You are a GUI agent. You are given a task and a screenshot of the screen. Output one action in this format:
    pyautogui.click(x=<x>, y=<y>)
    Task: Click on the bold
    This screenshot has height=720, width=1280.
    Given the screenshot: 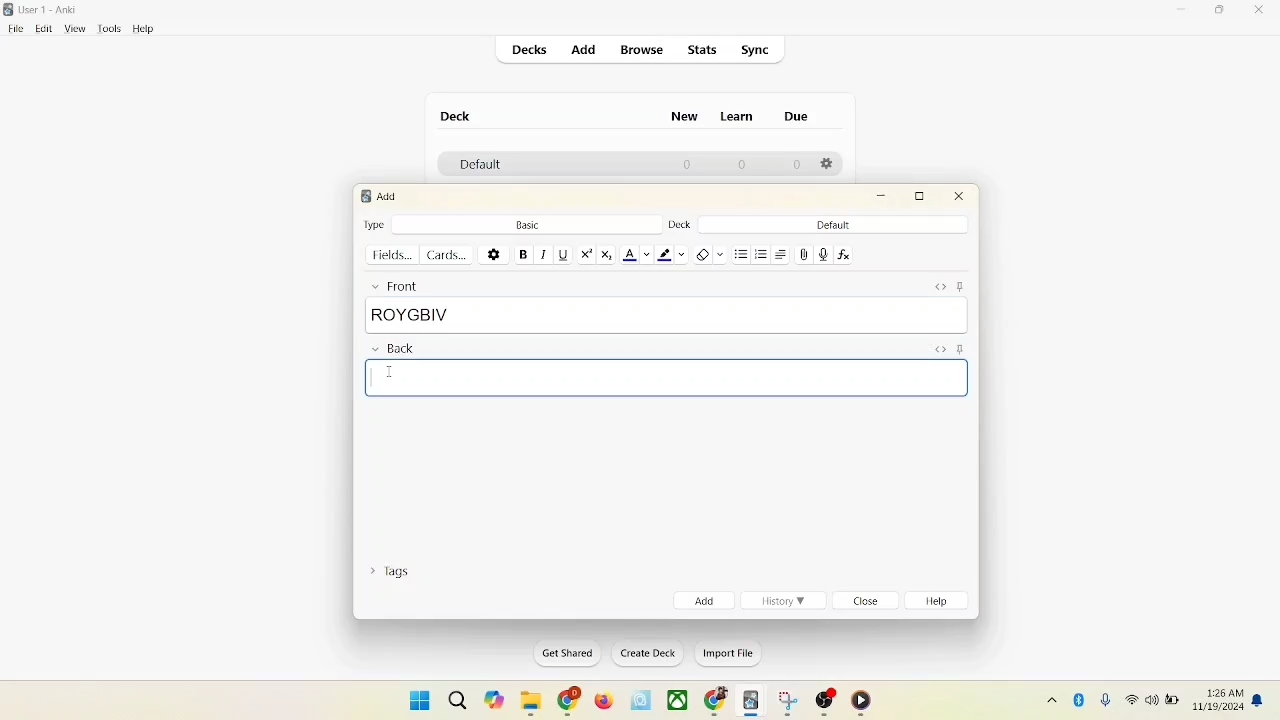 What is the action you would take?
    pyautogui.click(x=522, y=253)
    